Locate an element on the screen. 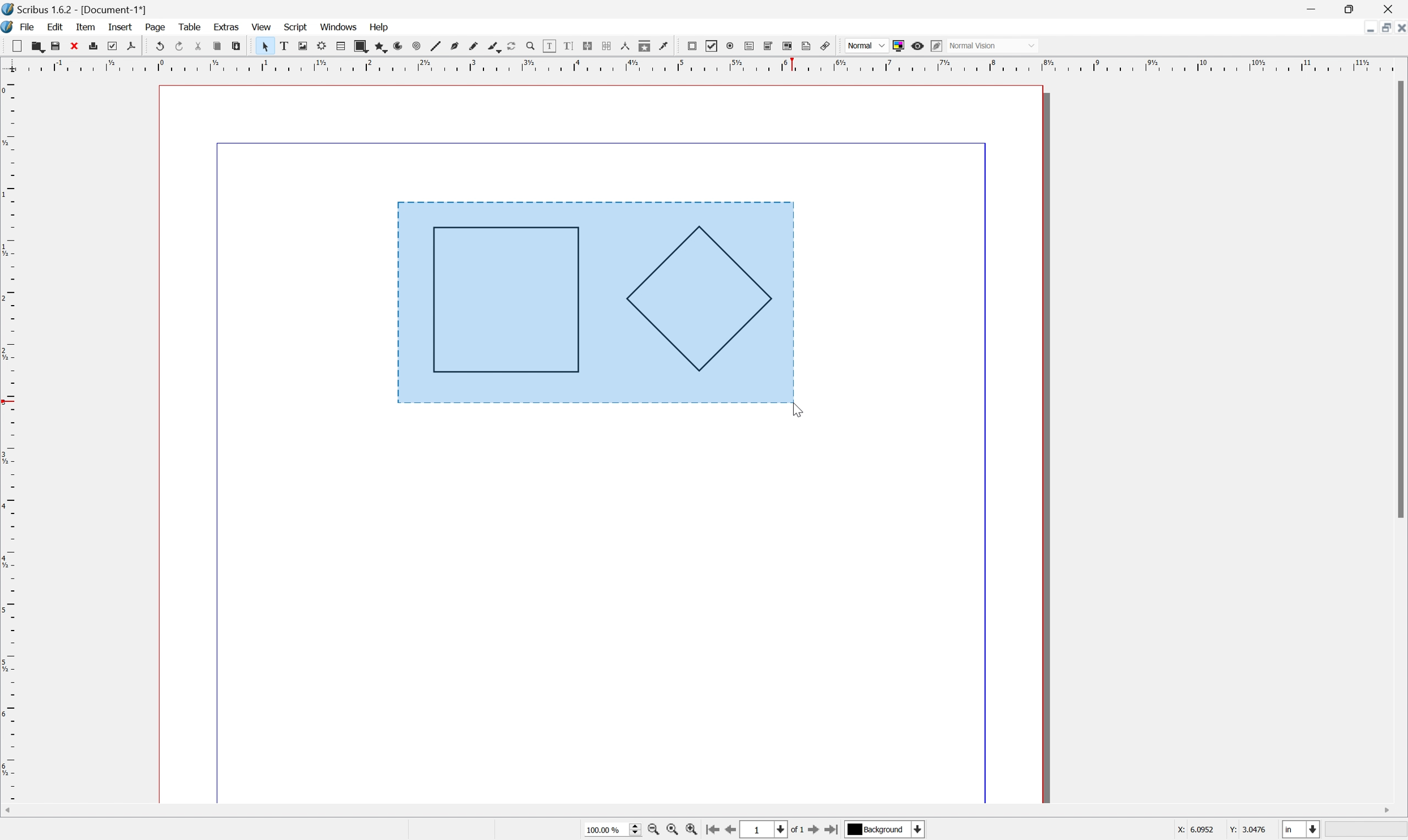 The image size is (1408, 840). undo is located at coordinates (160, 47).